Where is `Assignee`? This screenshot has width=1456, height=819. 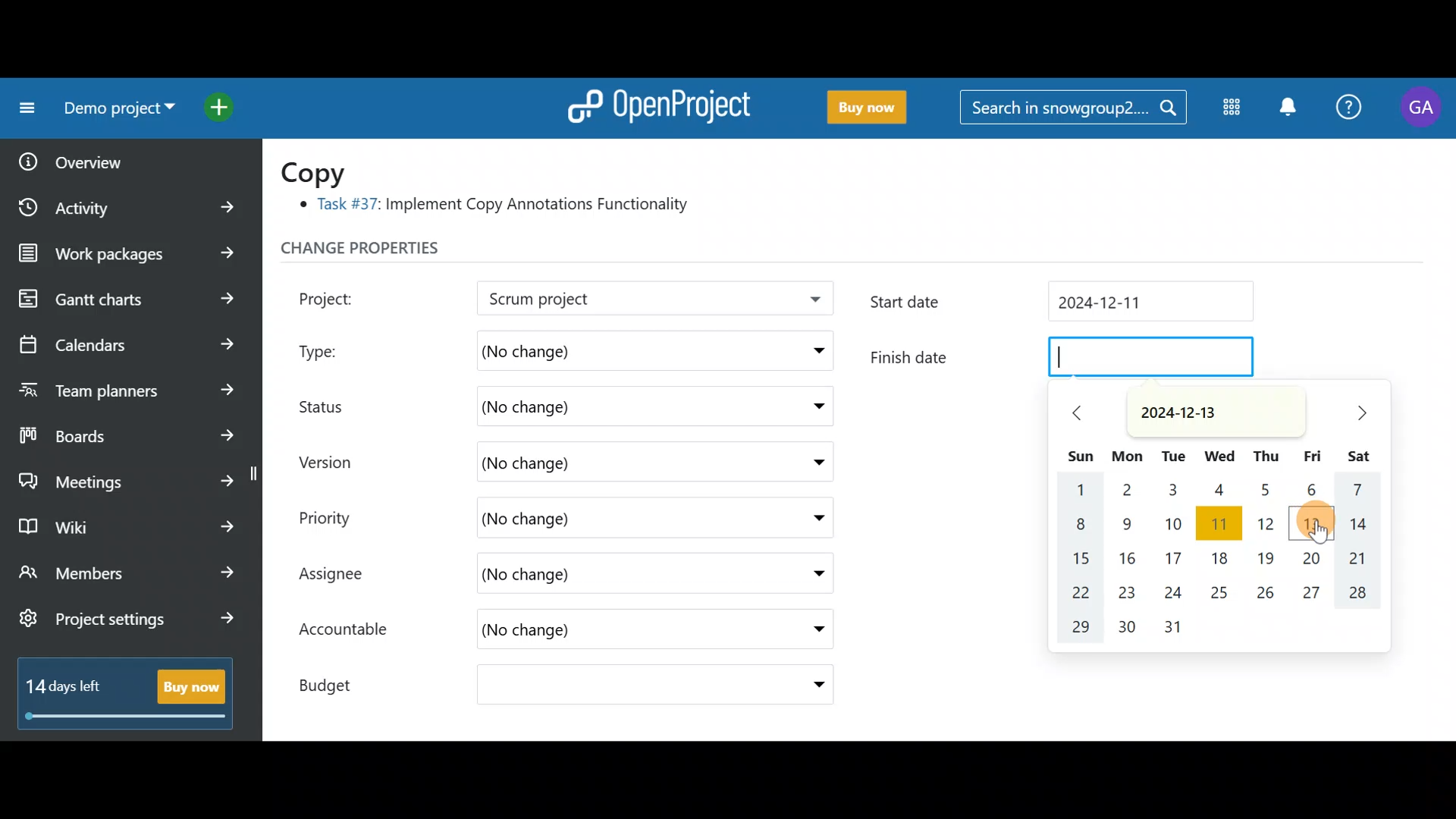 Assignee is located at coordinates (346, 576).